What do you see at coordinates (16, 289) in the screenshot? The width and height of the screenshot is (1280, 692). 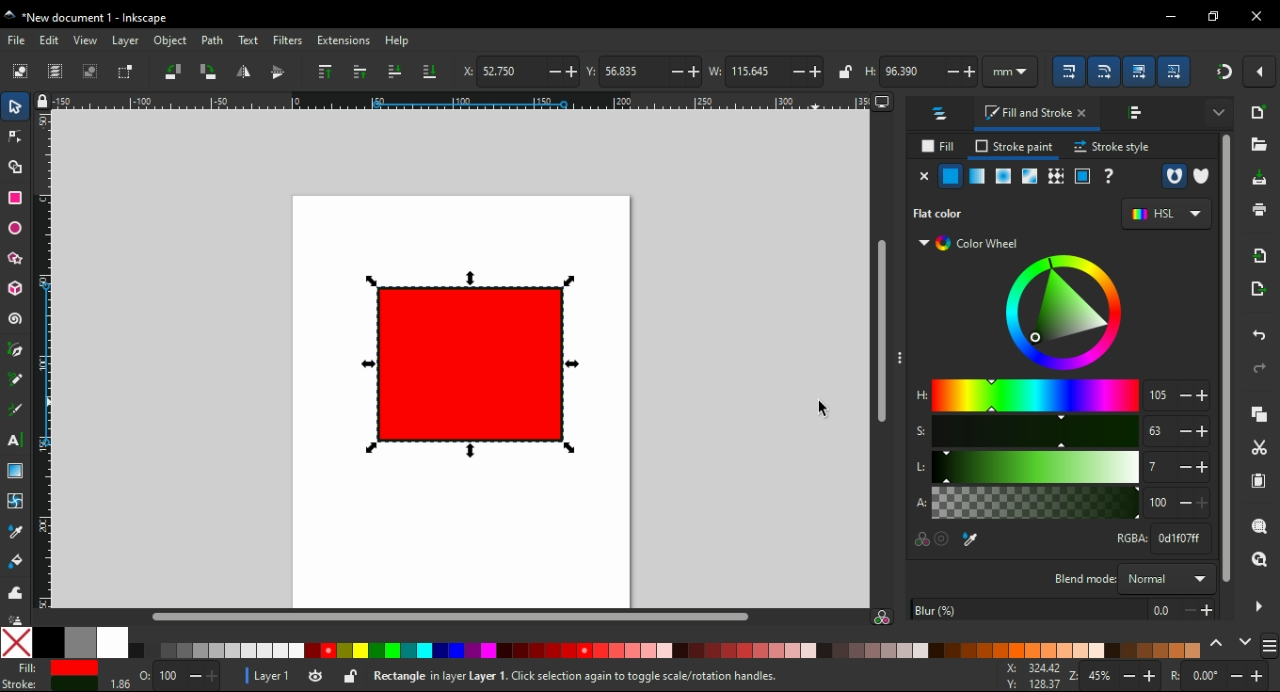 I see `3D box tool` at bounding box center [16, 289].